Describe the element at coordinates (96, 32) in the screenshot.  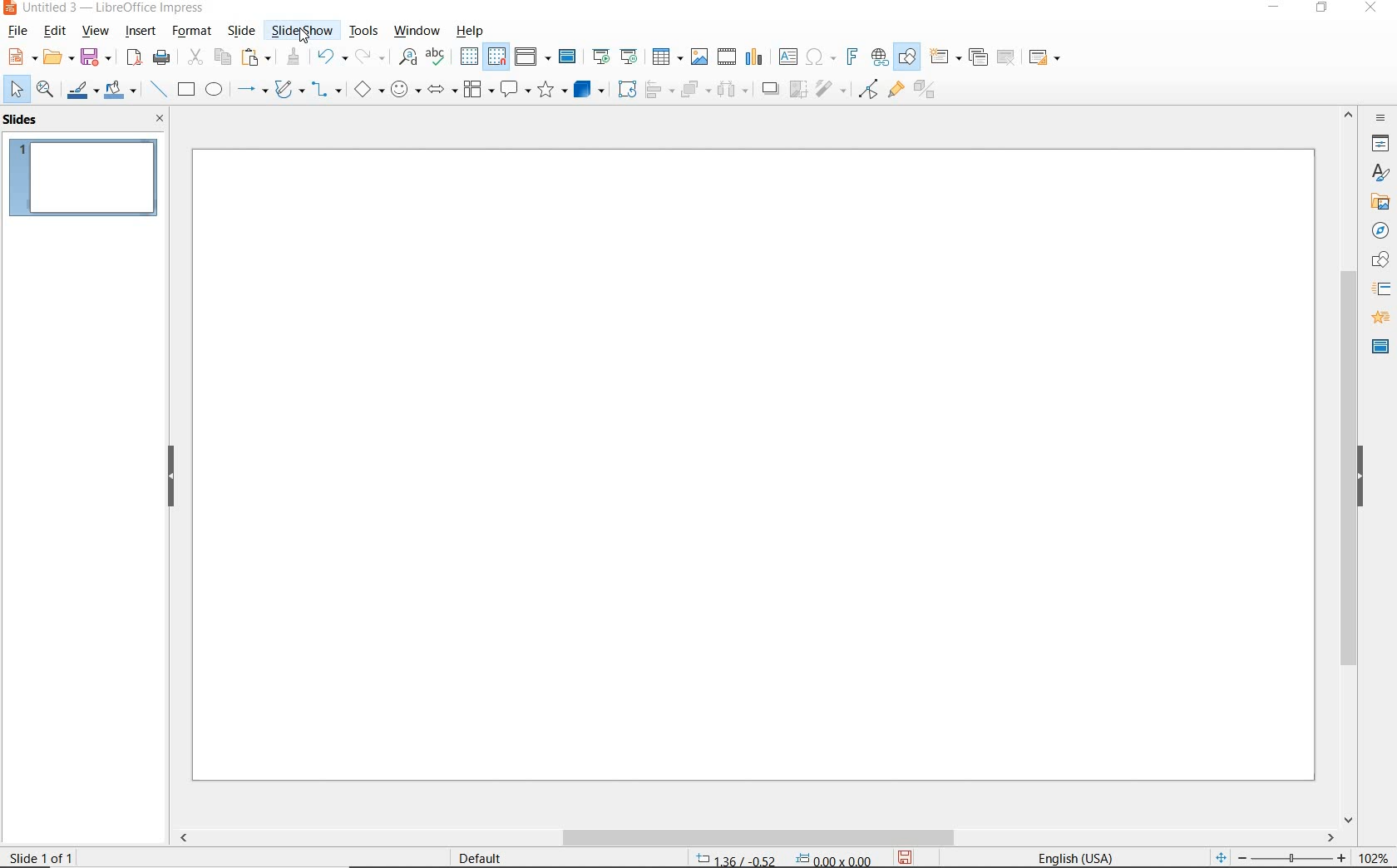
I see `VIEW` at that location.